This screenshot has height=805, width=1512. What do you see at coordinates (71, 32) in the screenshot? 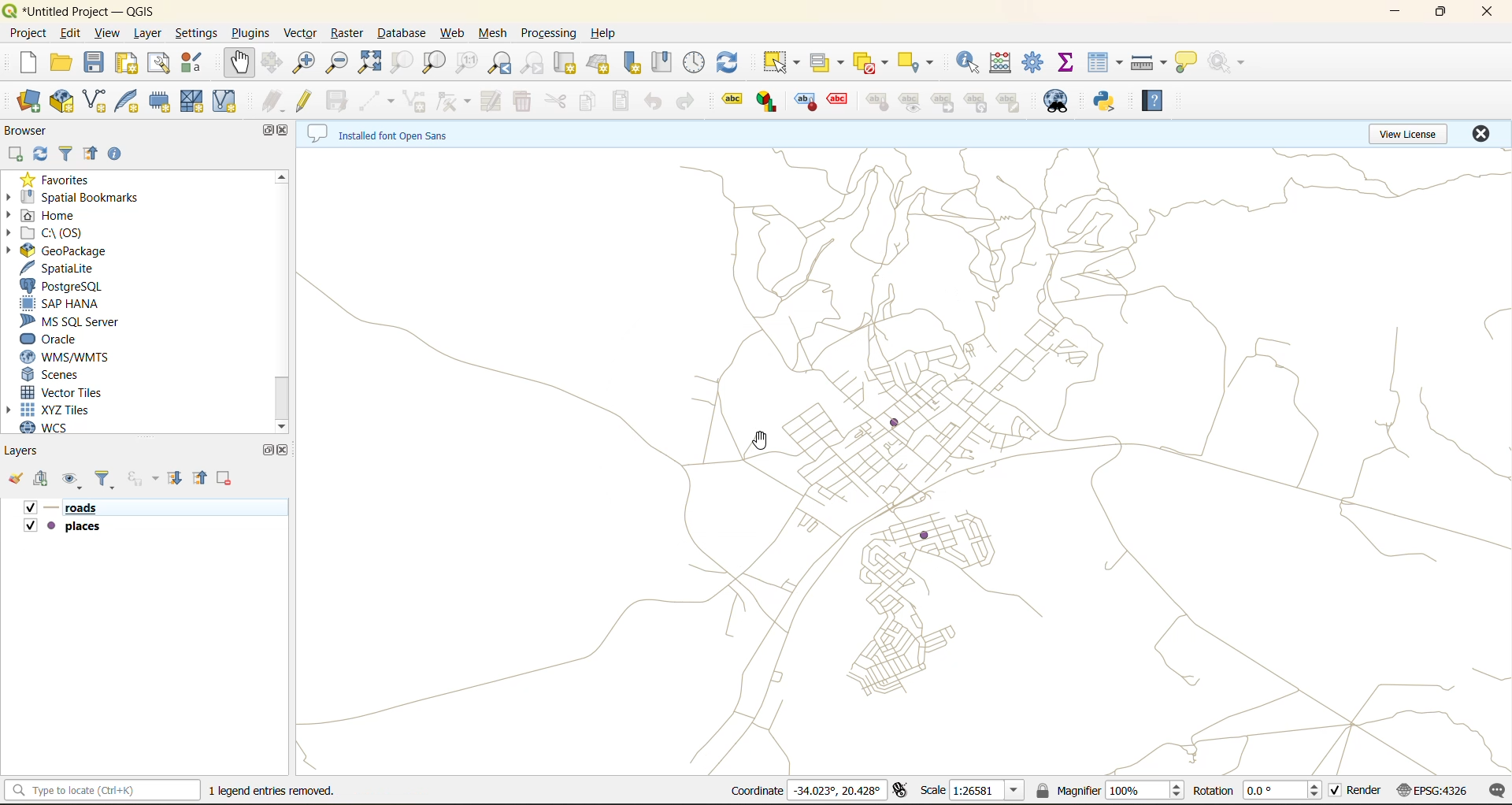
I see `edit` at bounding box center [71, 32].